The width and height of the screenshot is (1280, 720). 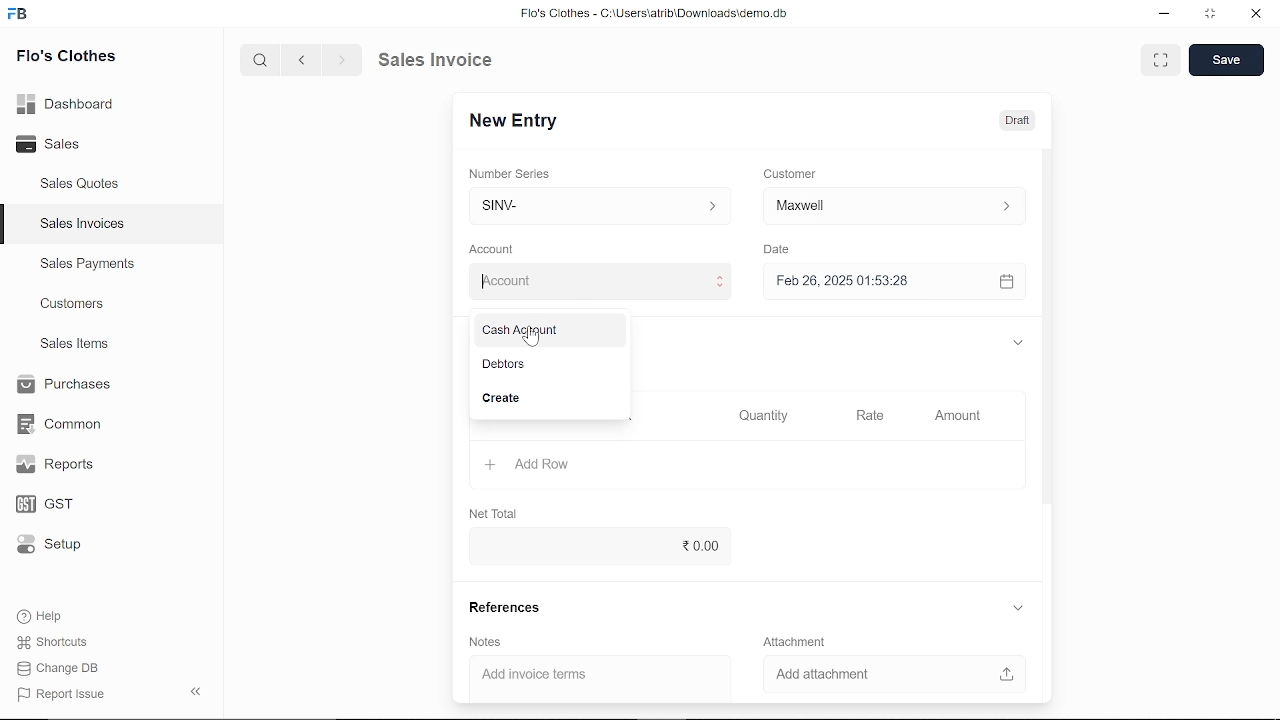 What do you see at coordinates (483, 642) in the screenshot?
I see `Notes` at bounding box center [483, 642].